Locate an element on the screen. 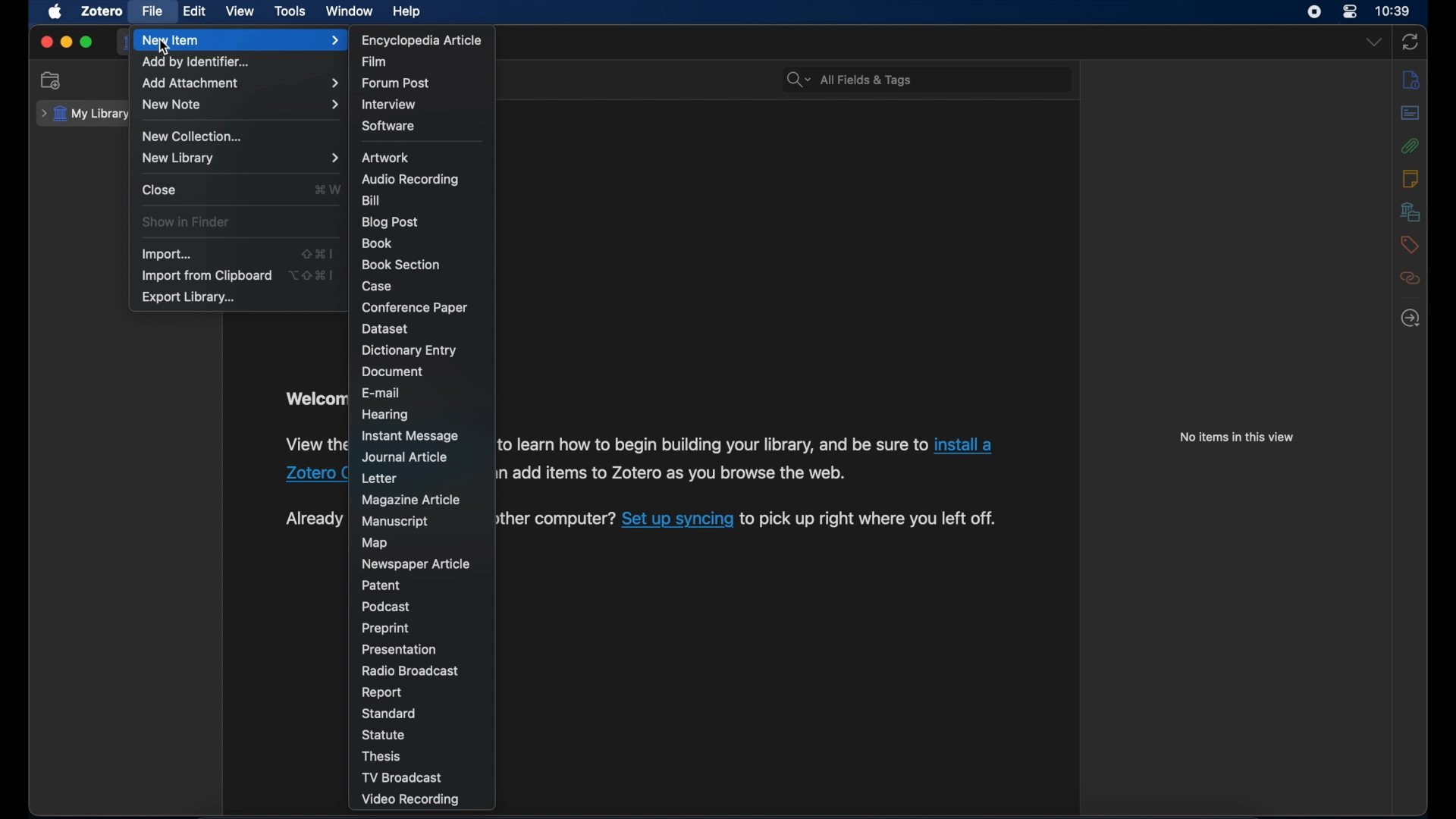 The image size is (1456, 819). presentation is located at coordinates (402, 649).